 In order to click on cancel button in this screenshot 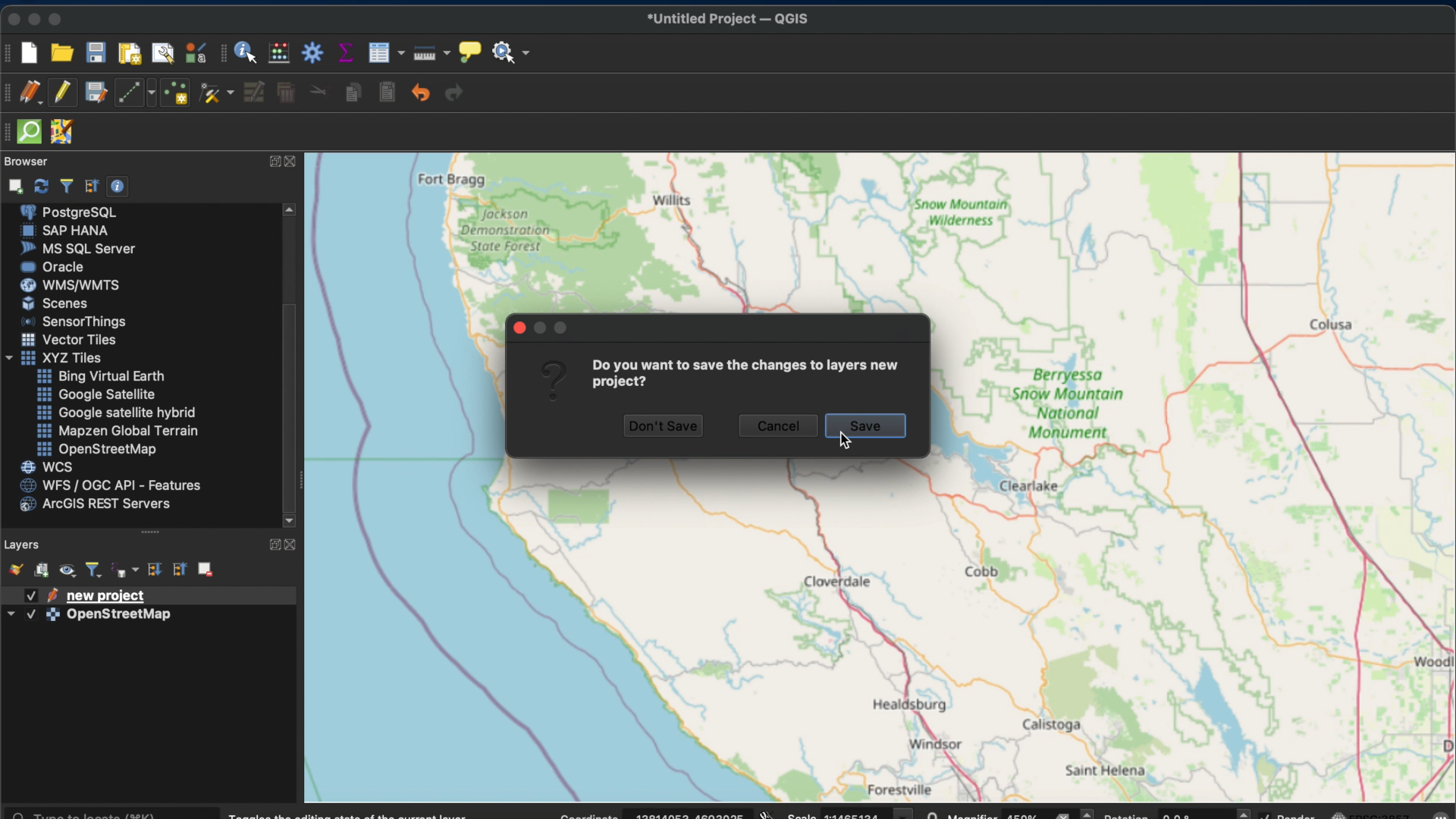, I will do `click(779, 427)`.